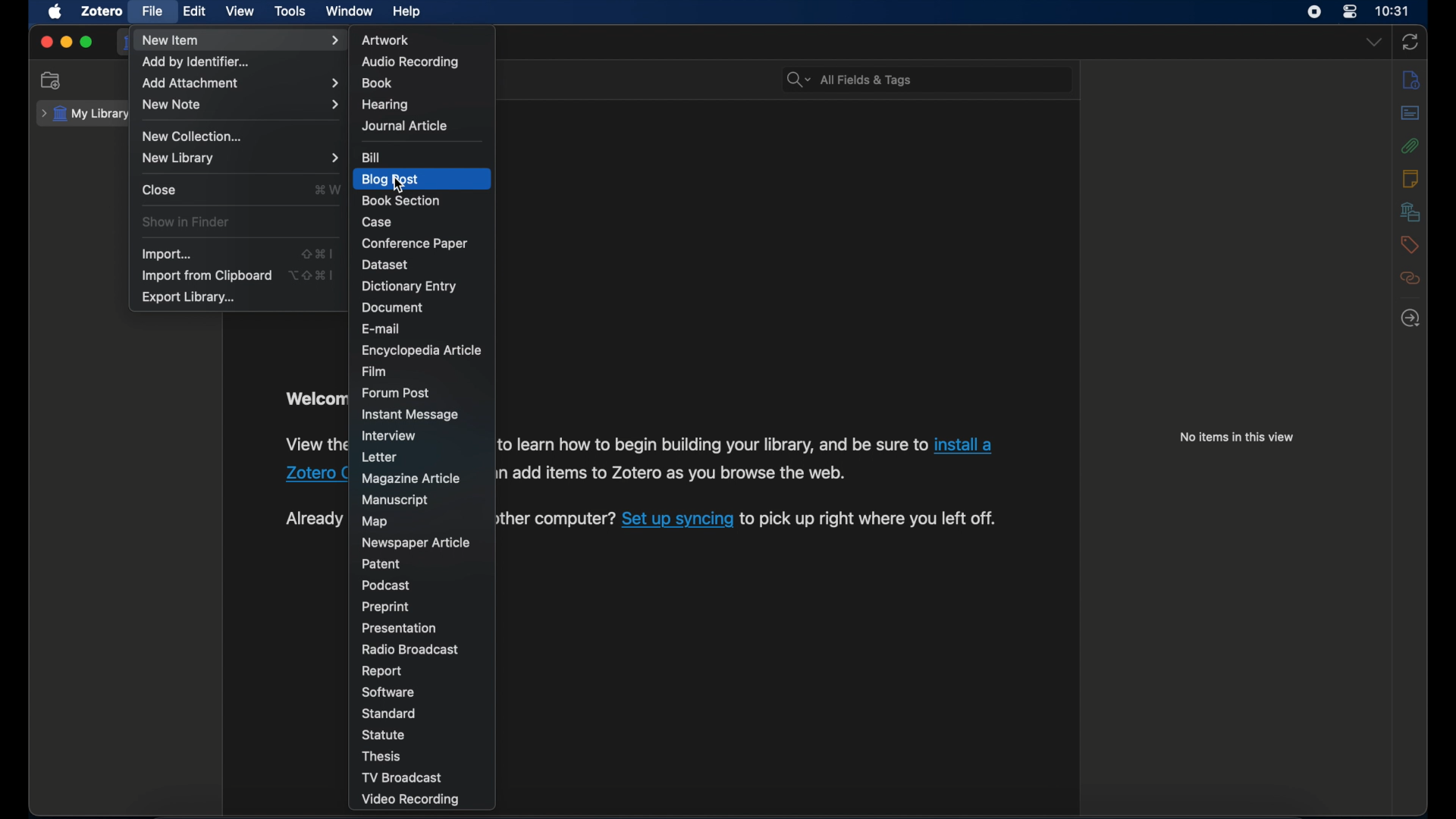 This screenshot has height=819, width=1456. What do you see at coordinates (1410, 244) in the screenshot?
I see `tags` at bounding box center [1410, 244].